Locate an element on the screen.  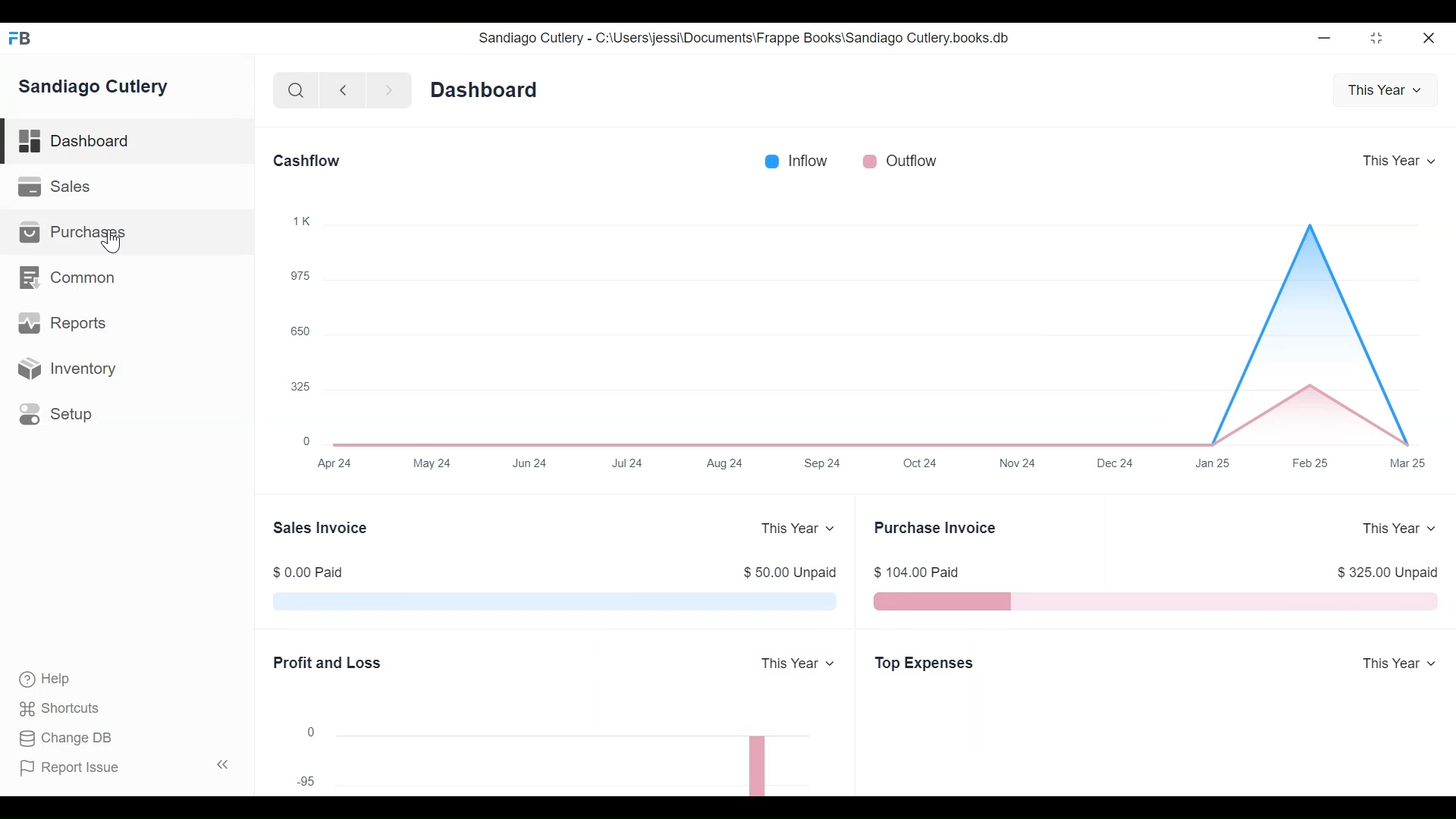
Cashflow is located at coordinates (314, 160).